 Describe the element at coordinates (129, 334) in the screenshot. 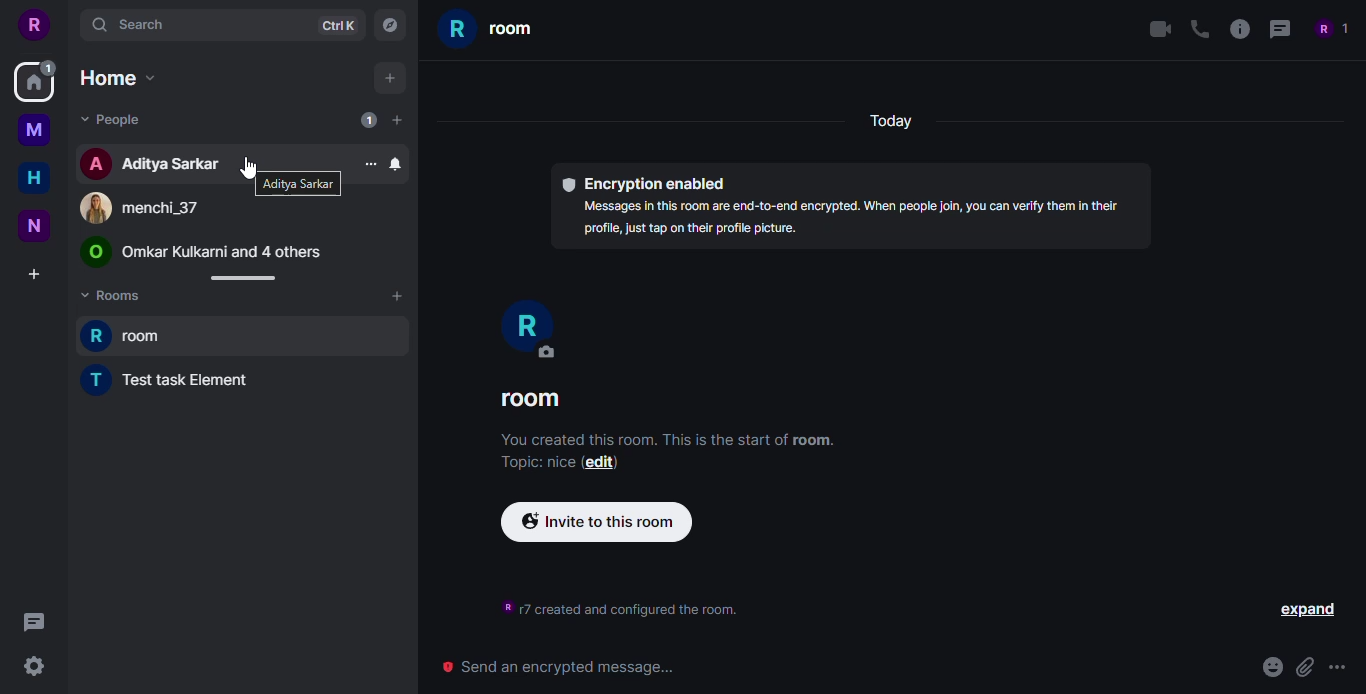

I see `room` at that location.